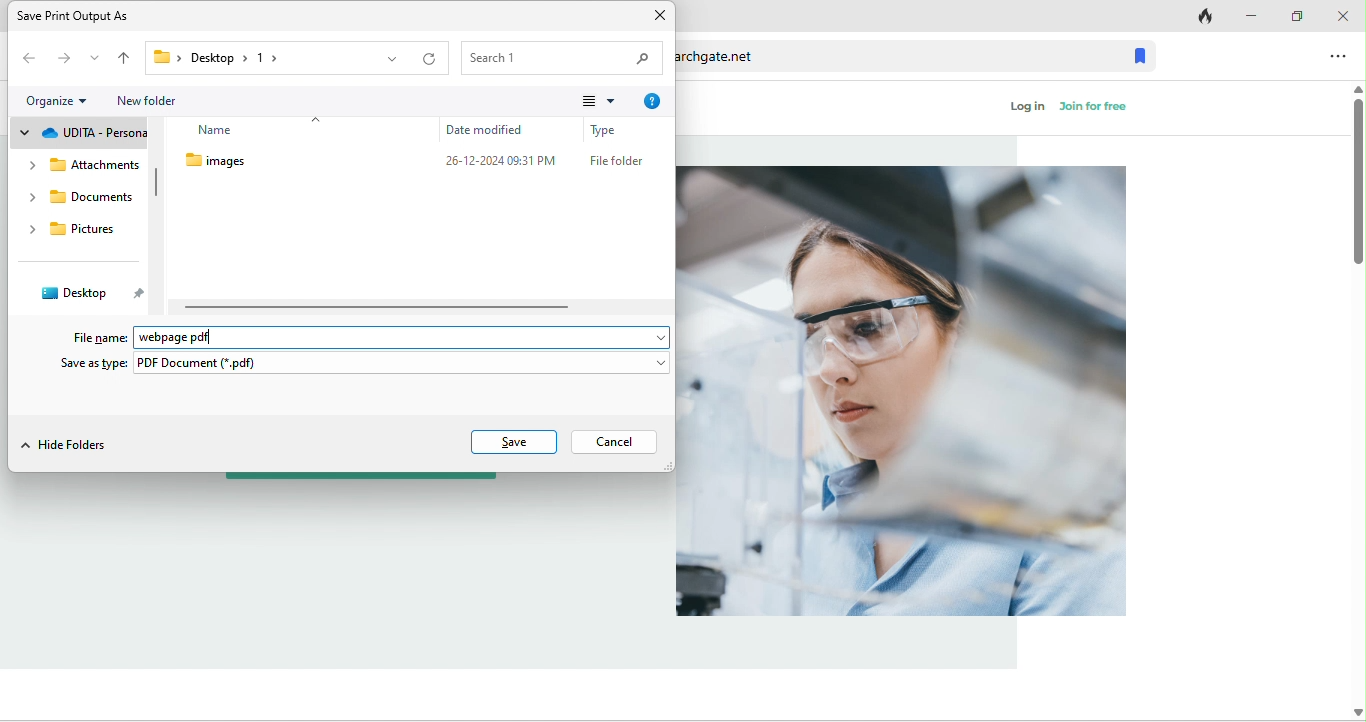 Image resolution: width=1366 pixels, height=722 pixels. What do you see at coordinates (93, 57) in the screenshot?
I see `recent location` at bounding box center [93, 57].